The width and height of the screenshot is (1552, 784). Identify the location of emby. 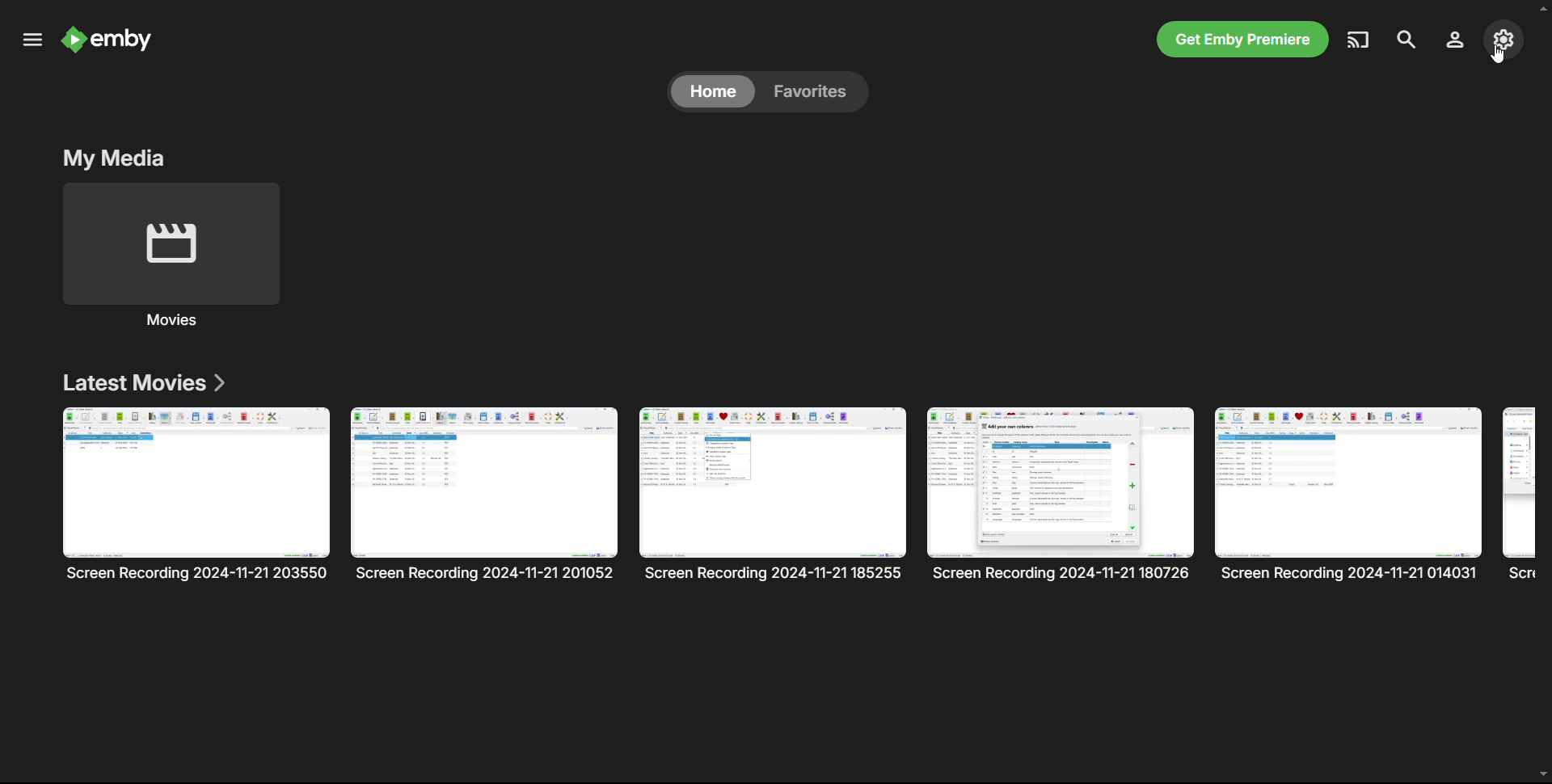
(129, 41).